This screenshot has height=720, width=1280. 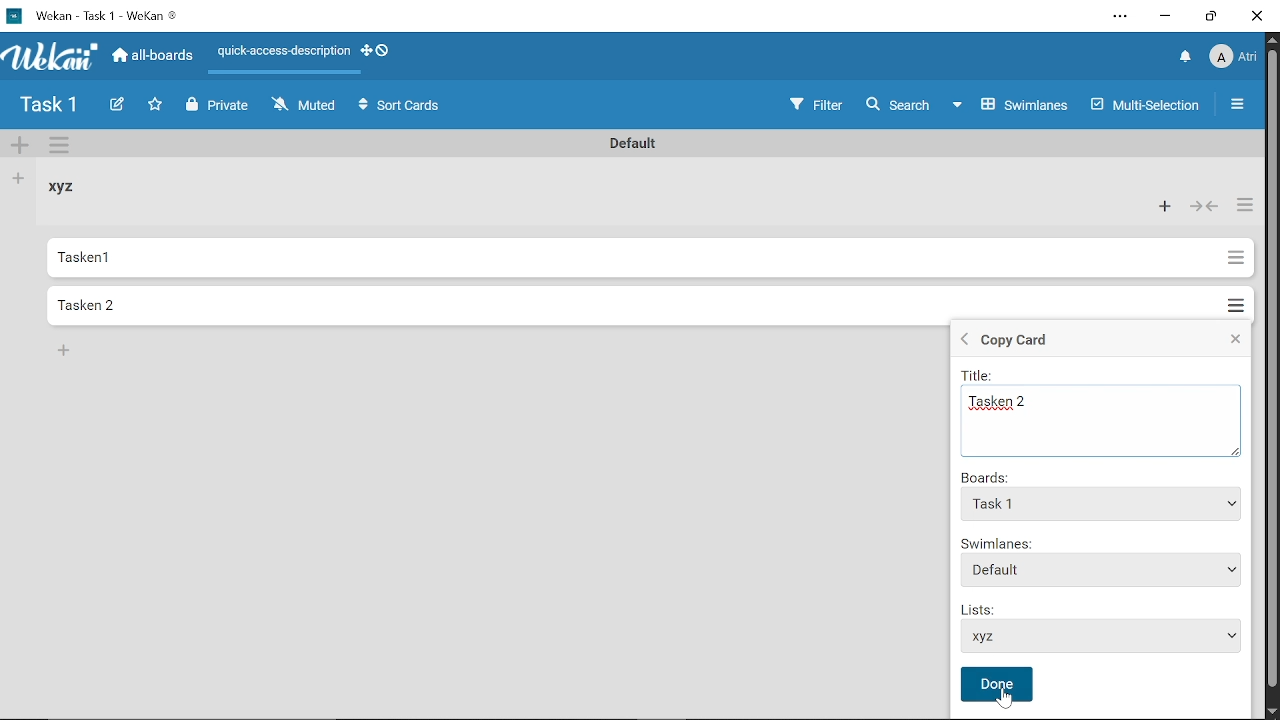 I want to click on Add swimlane, so click(x=20, y=147).